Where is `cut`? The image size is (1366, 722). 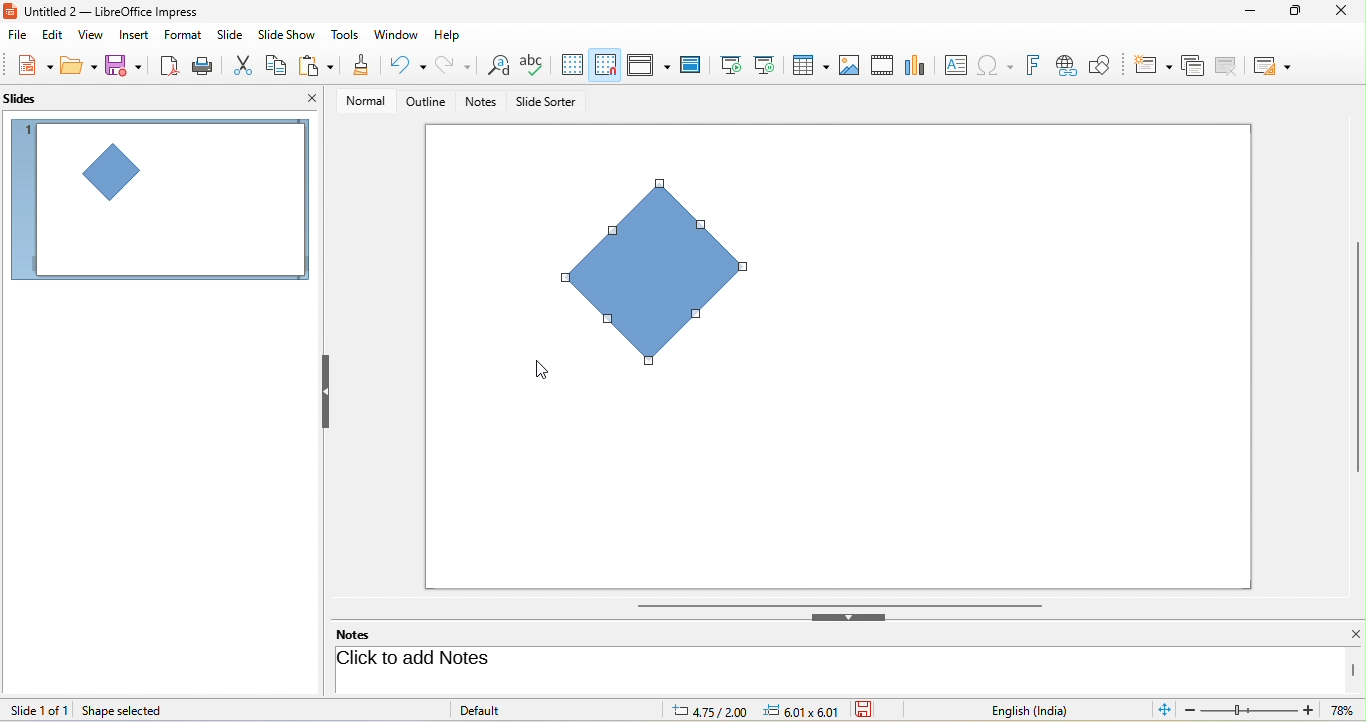
cut is located at coordinates (245, 64).